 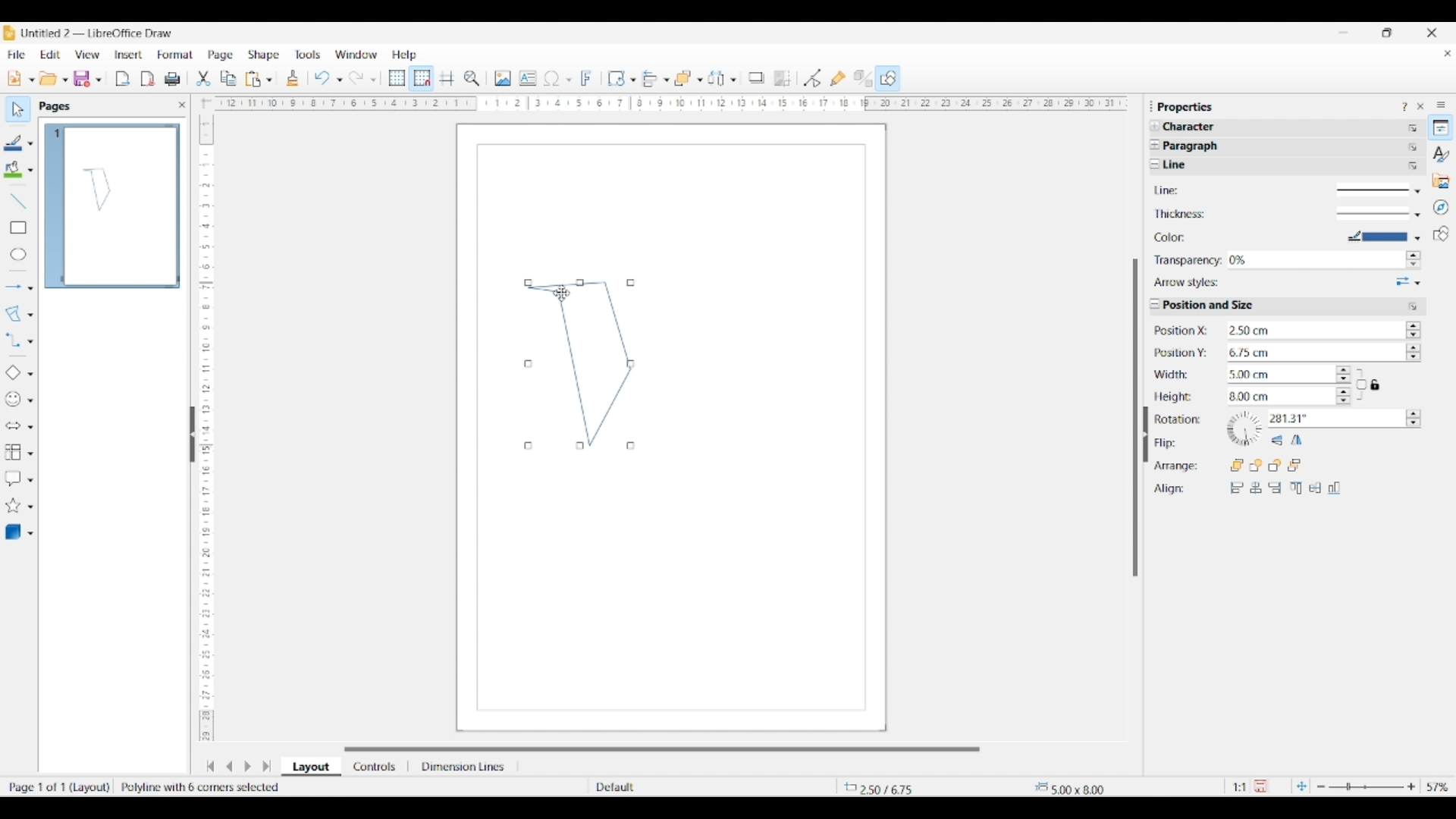 What do you see at coordinates (717, 78) in the screenshot?
I see `Chosen select object to distribute` at bounding box center [717, 78].